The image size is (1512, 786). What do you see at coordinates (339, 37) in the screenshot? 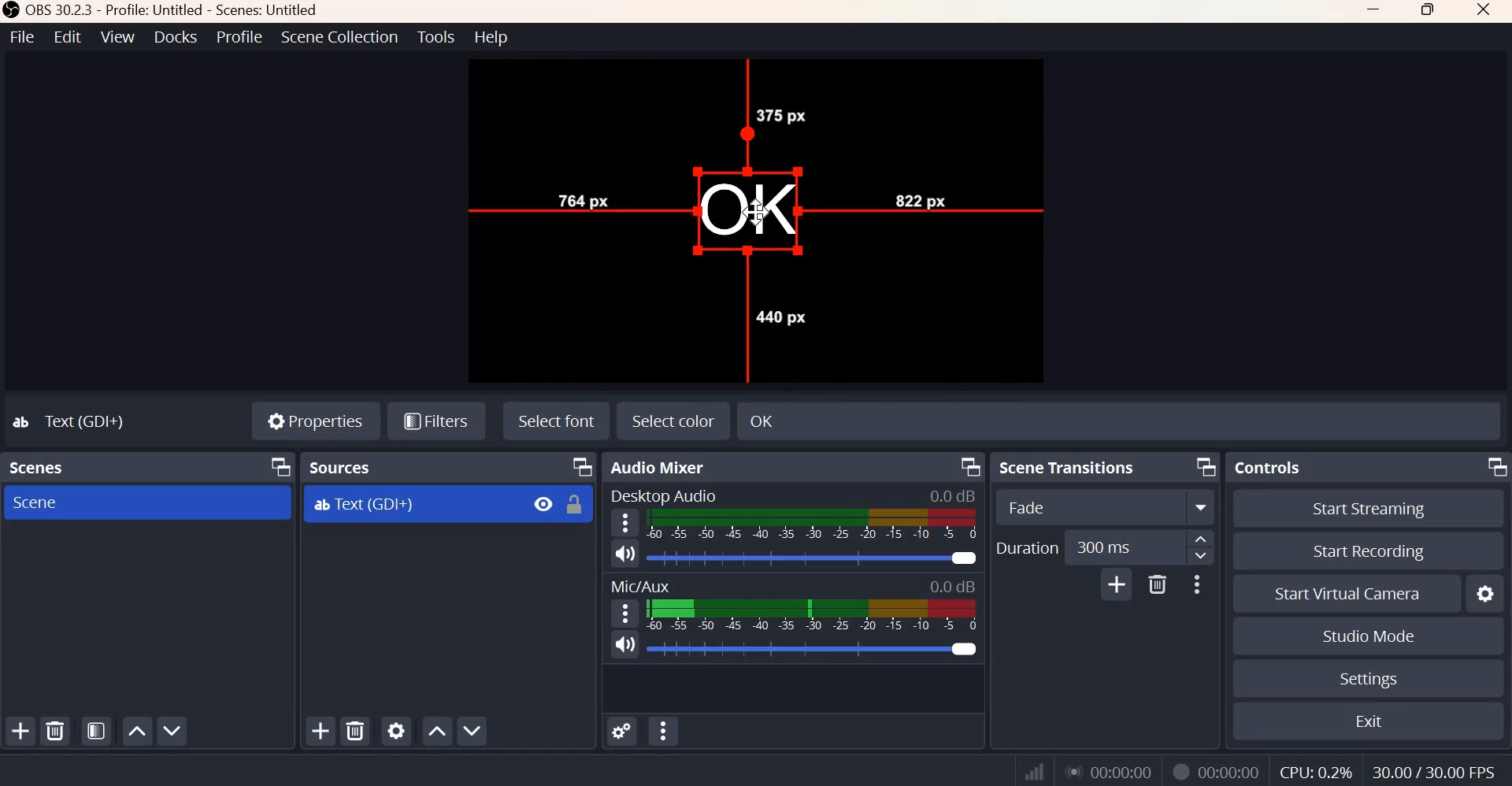
I see `Scene Collection` at bounding box center [339, 37].